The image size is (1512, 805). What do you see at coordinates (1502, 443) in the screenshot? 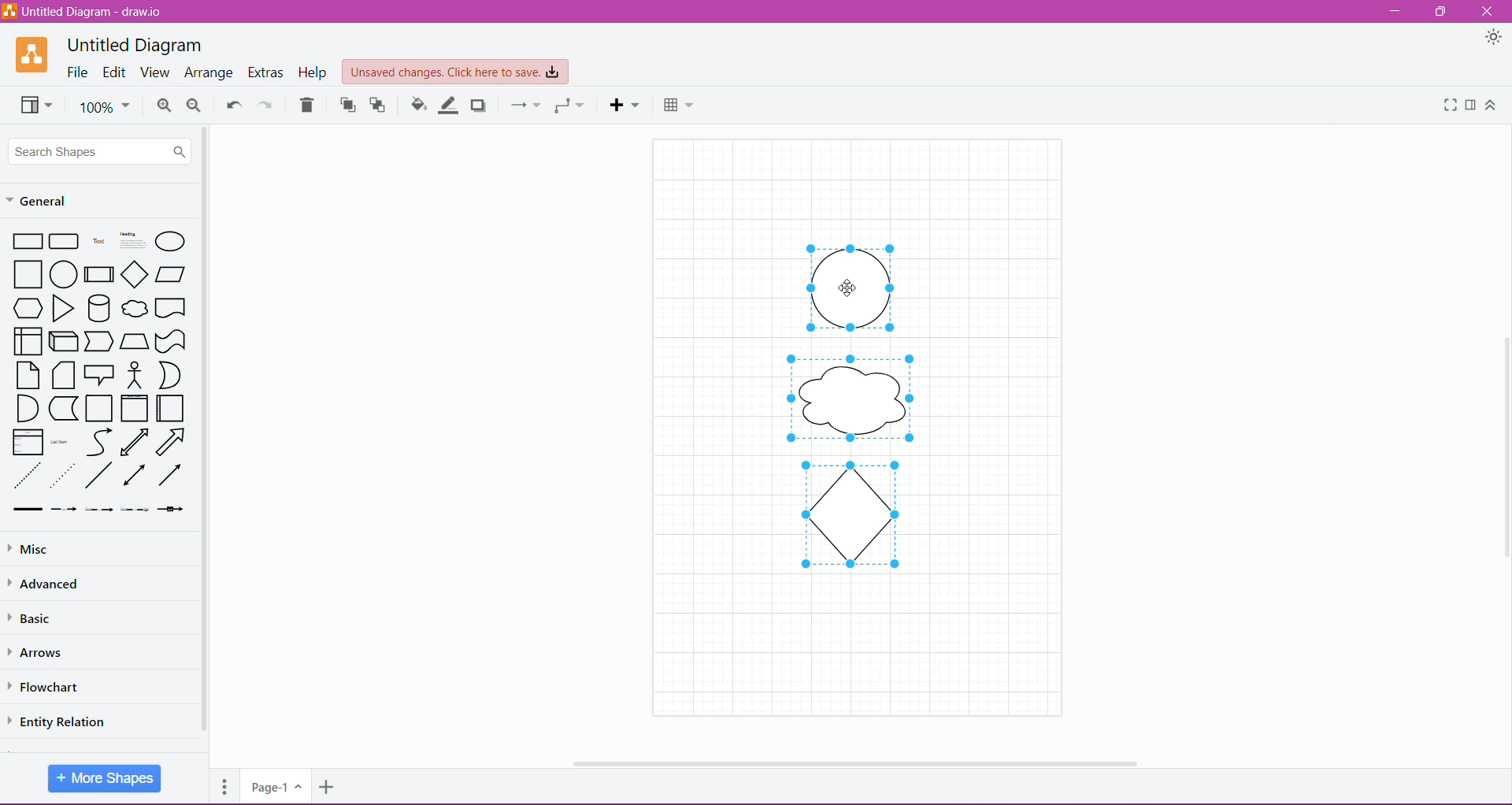
I see `Vertical Scroll Bar` at bounding box center [1502, 443].